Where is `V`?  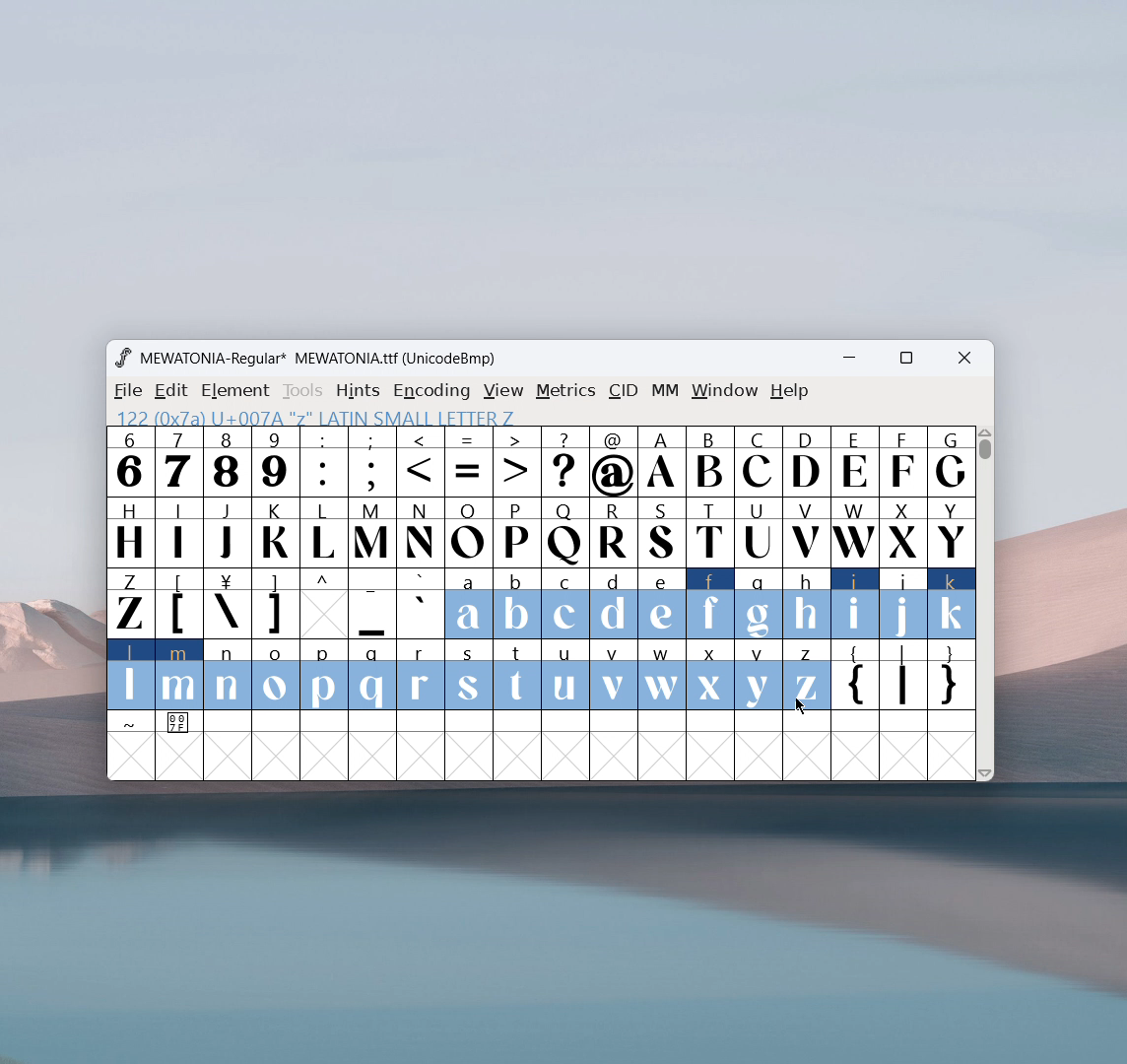
V is located at coordinates (805, 531).